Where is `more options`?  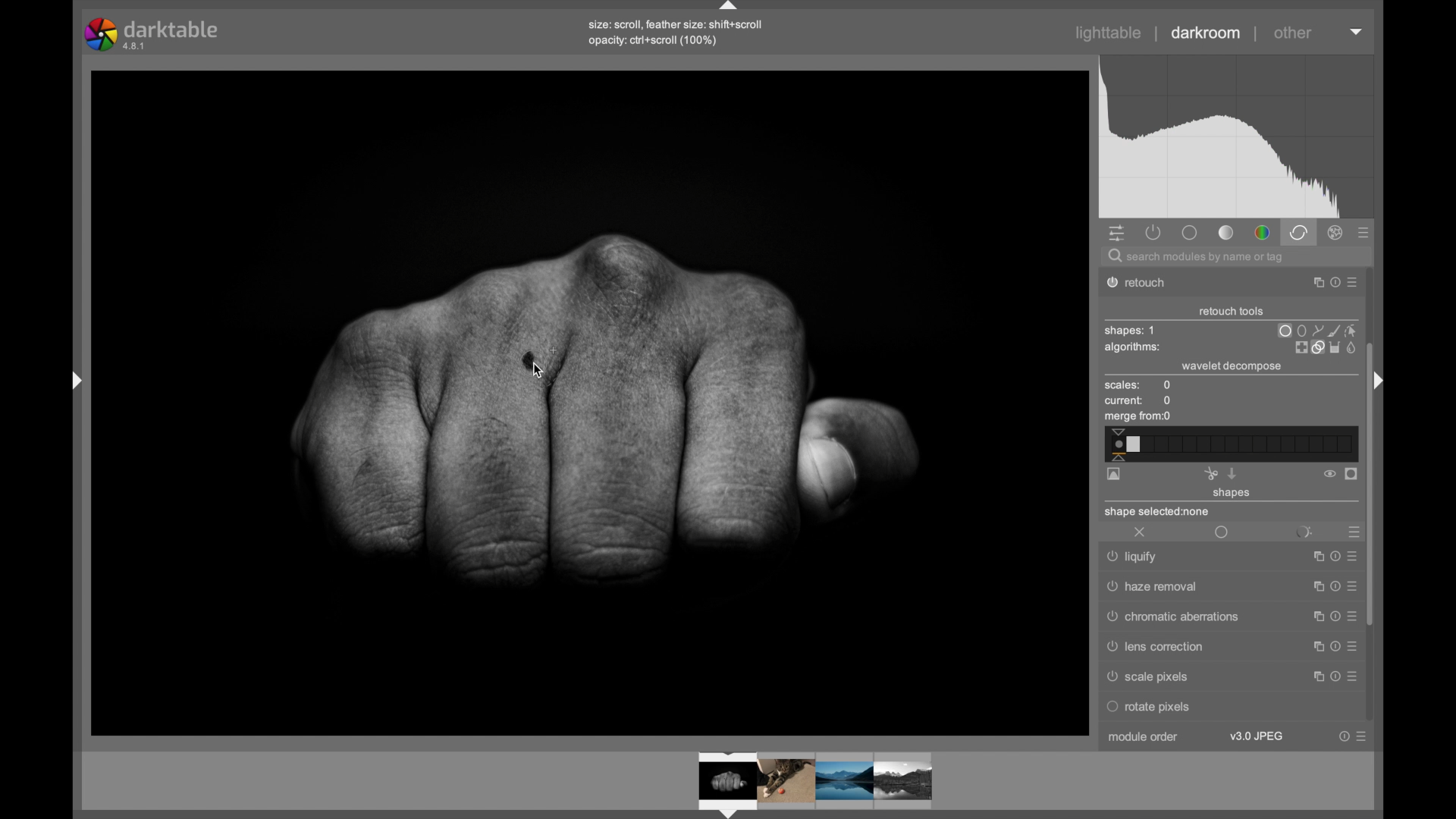
more options is located at coordinates (1352, 646).